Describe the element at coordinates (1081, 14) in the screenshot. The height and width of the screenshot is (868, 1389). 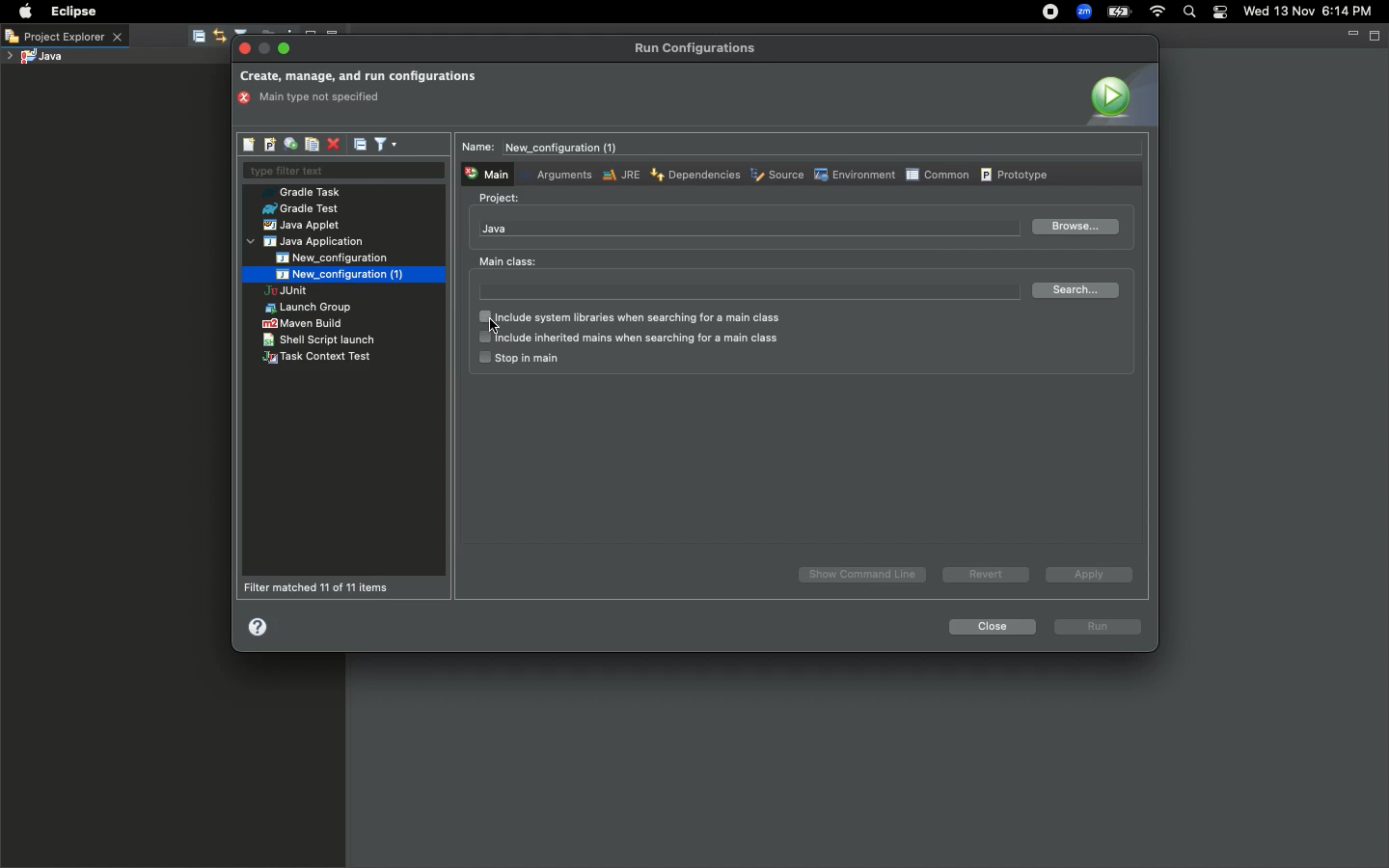
I see `Zoom` at that location.